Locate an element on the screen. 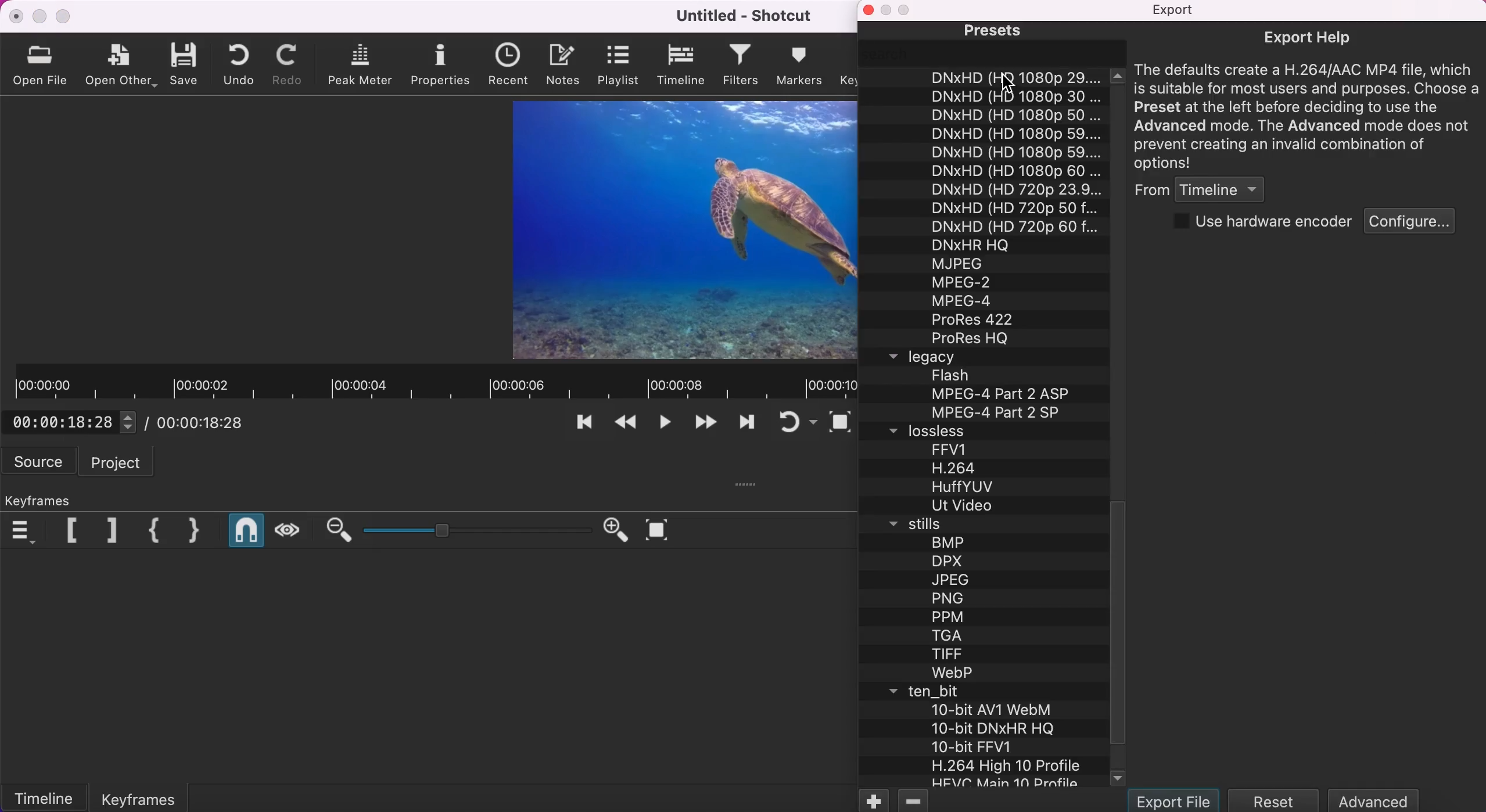  use hardware encoder checkbox is located at coordinates (1261, 221).